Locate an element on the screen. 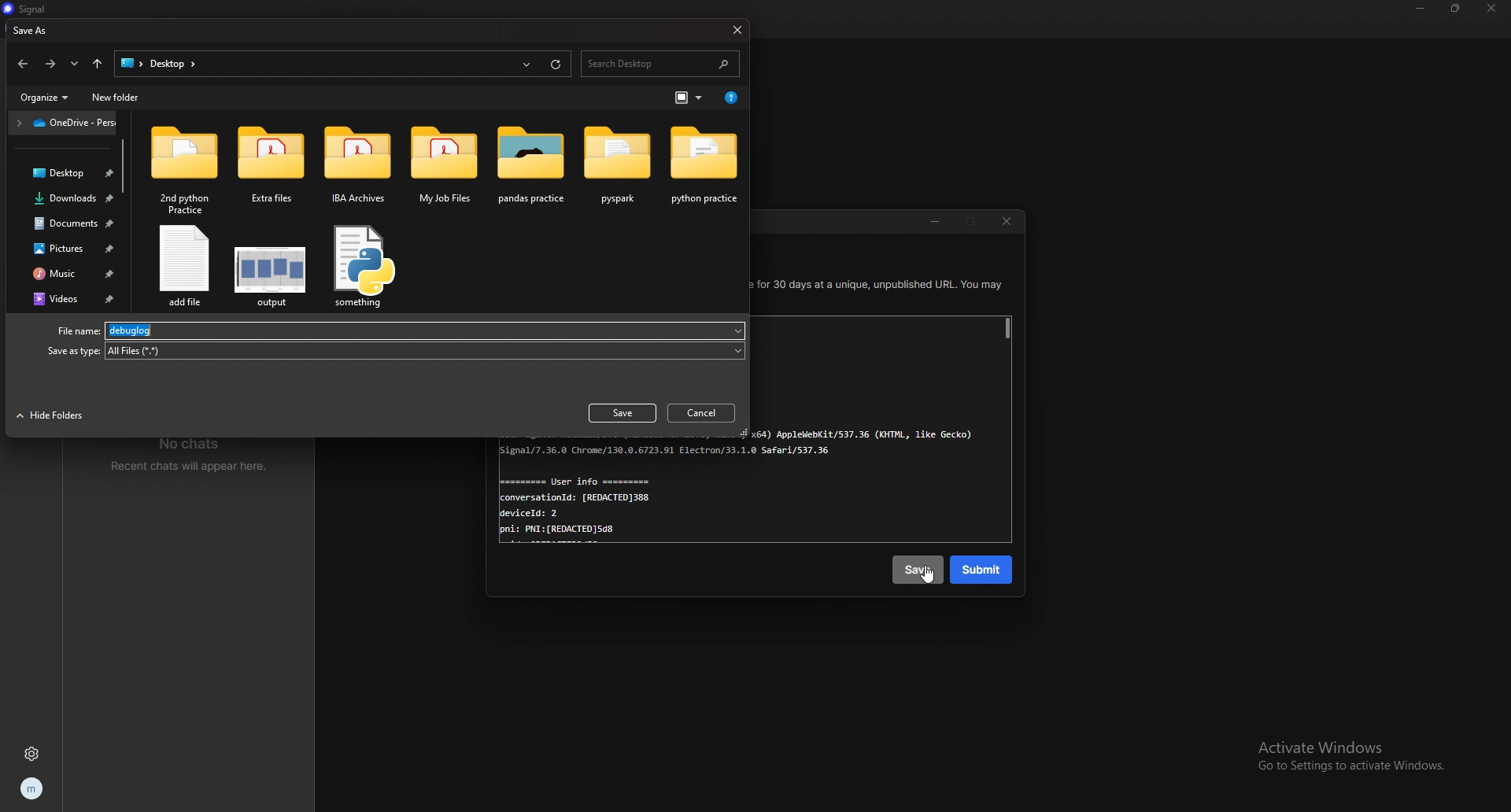  file is located at coordinates (183, 268).